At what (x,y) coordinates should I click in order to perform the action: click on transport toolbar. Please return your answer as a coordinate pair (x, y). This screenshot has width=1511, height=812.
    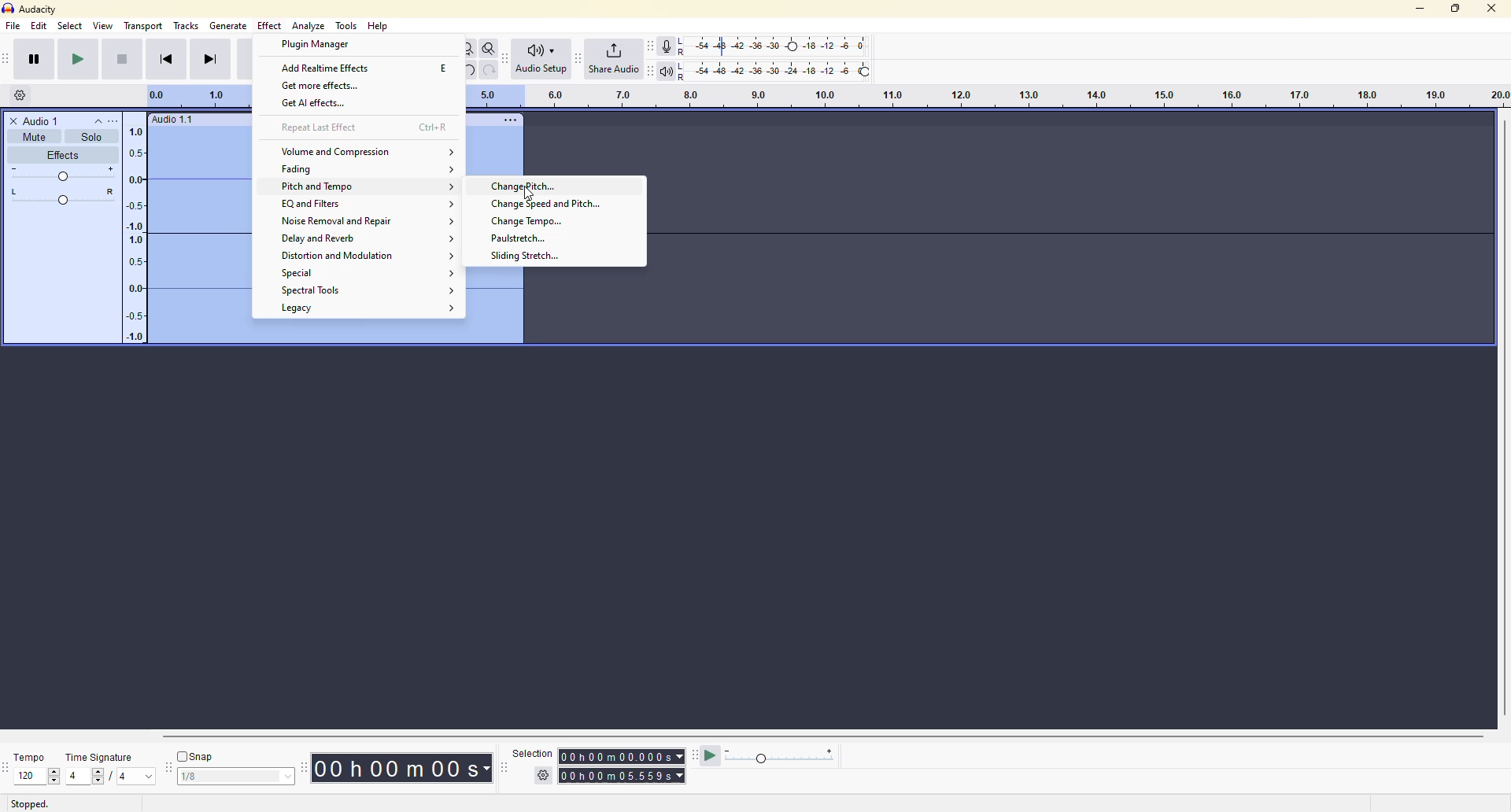
    Looking at the image, I should click on (10, 58).